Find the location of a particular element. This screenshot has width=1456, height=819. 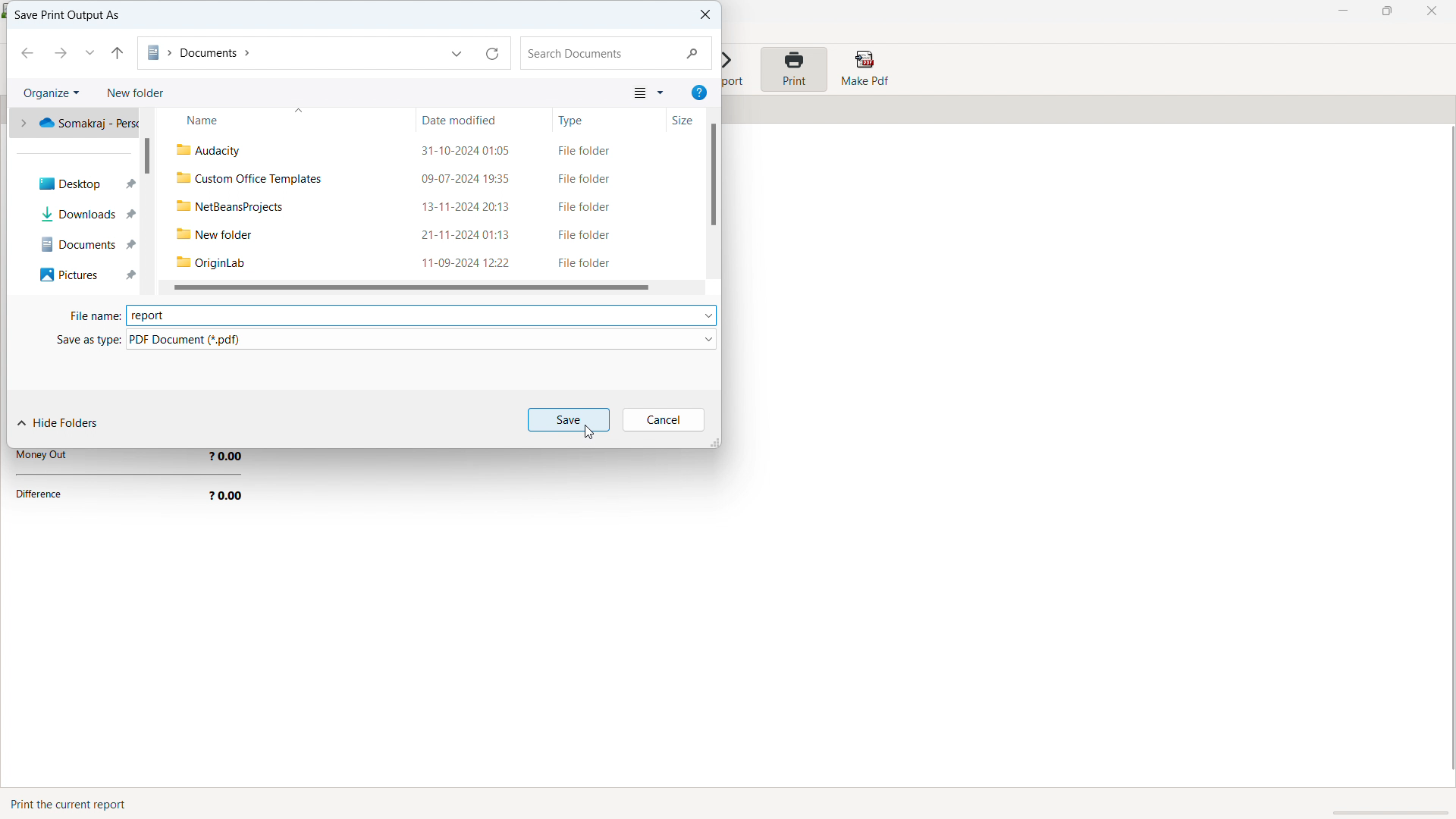

next folder is located at coordinates (59, 52).